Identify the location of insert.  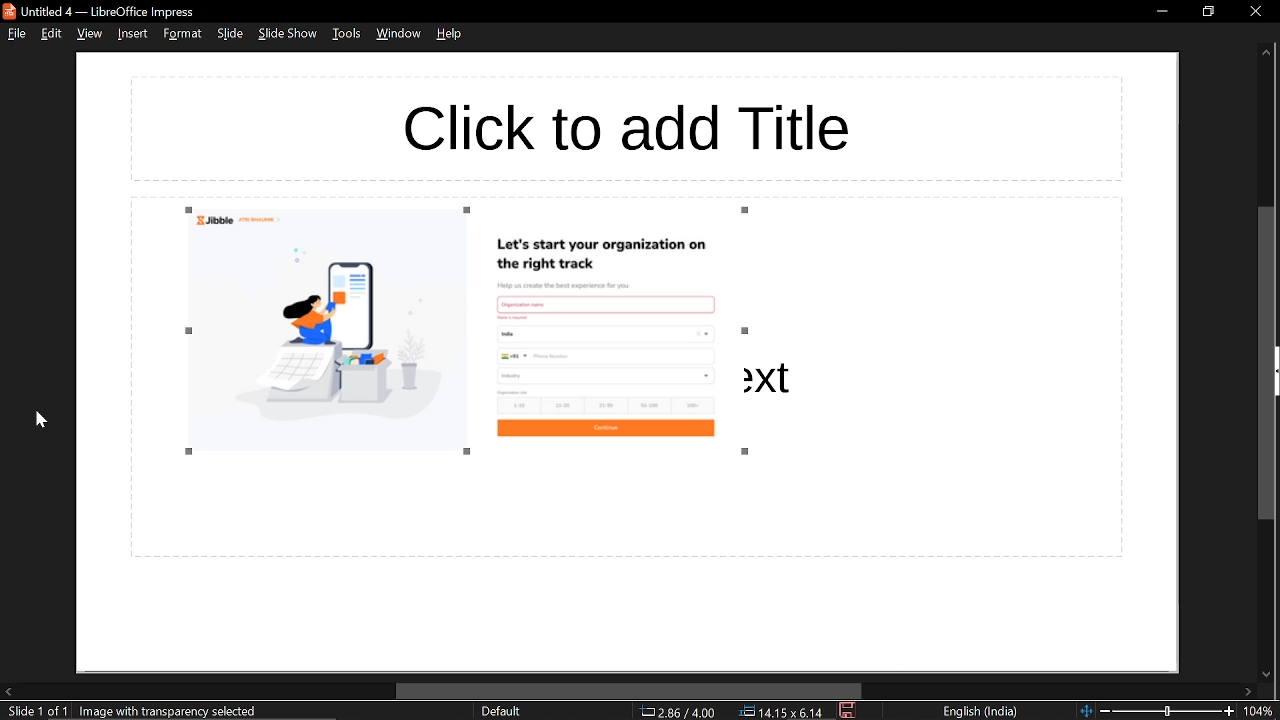
(130, 33).